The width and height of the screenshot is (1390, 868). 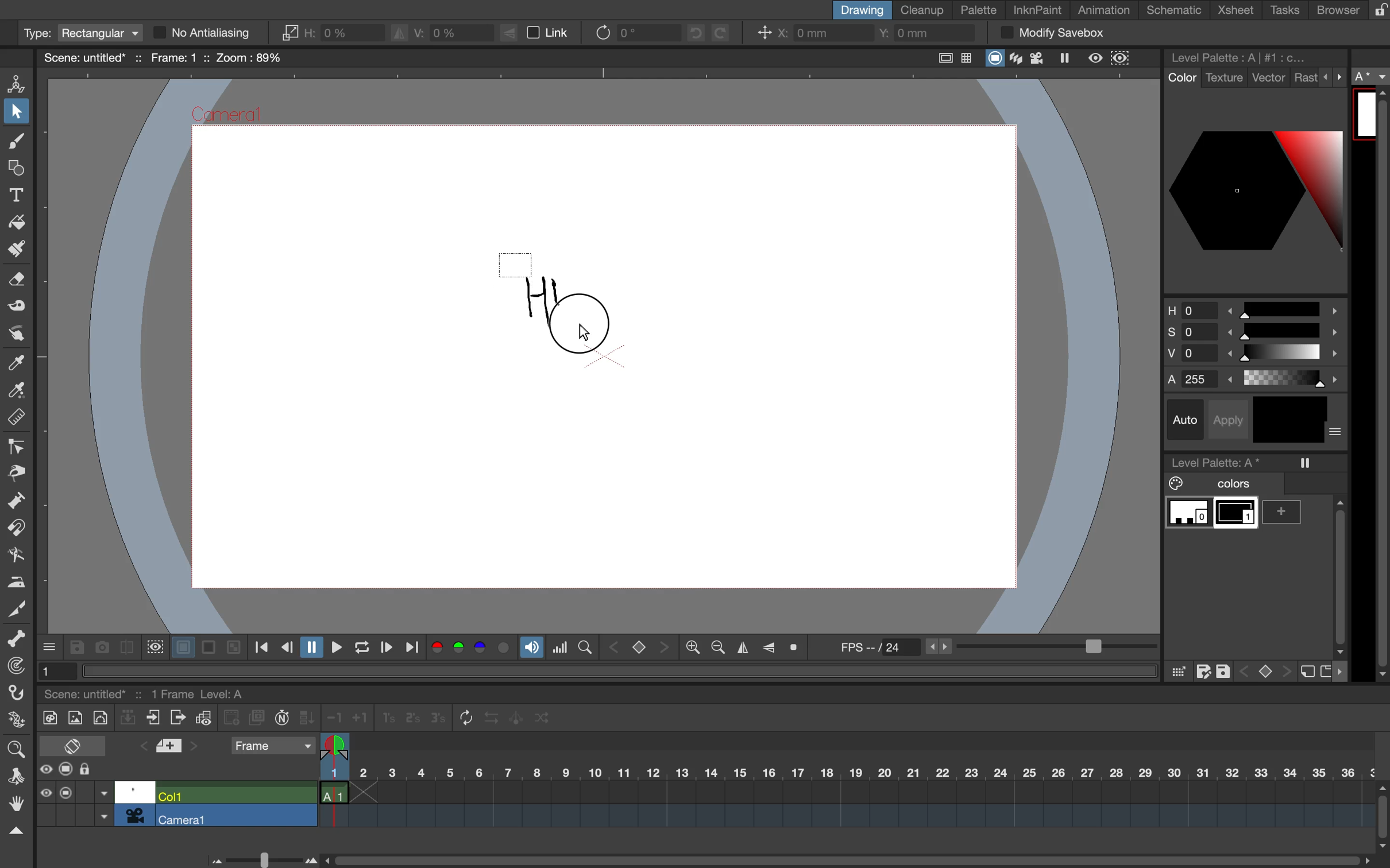 What do you see at coordinates (1242, 57) in the screenshot?
I see `level palette` at bounding box center [1242, 57].